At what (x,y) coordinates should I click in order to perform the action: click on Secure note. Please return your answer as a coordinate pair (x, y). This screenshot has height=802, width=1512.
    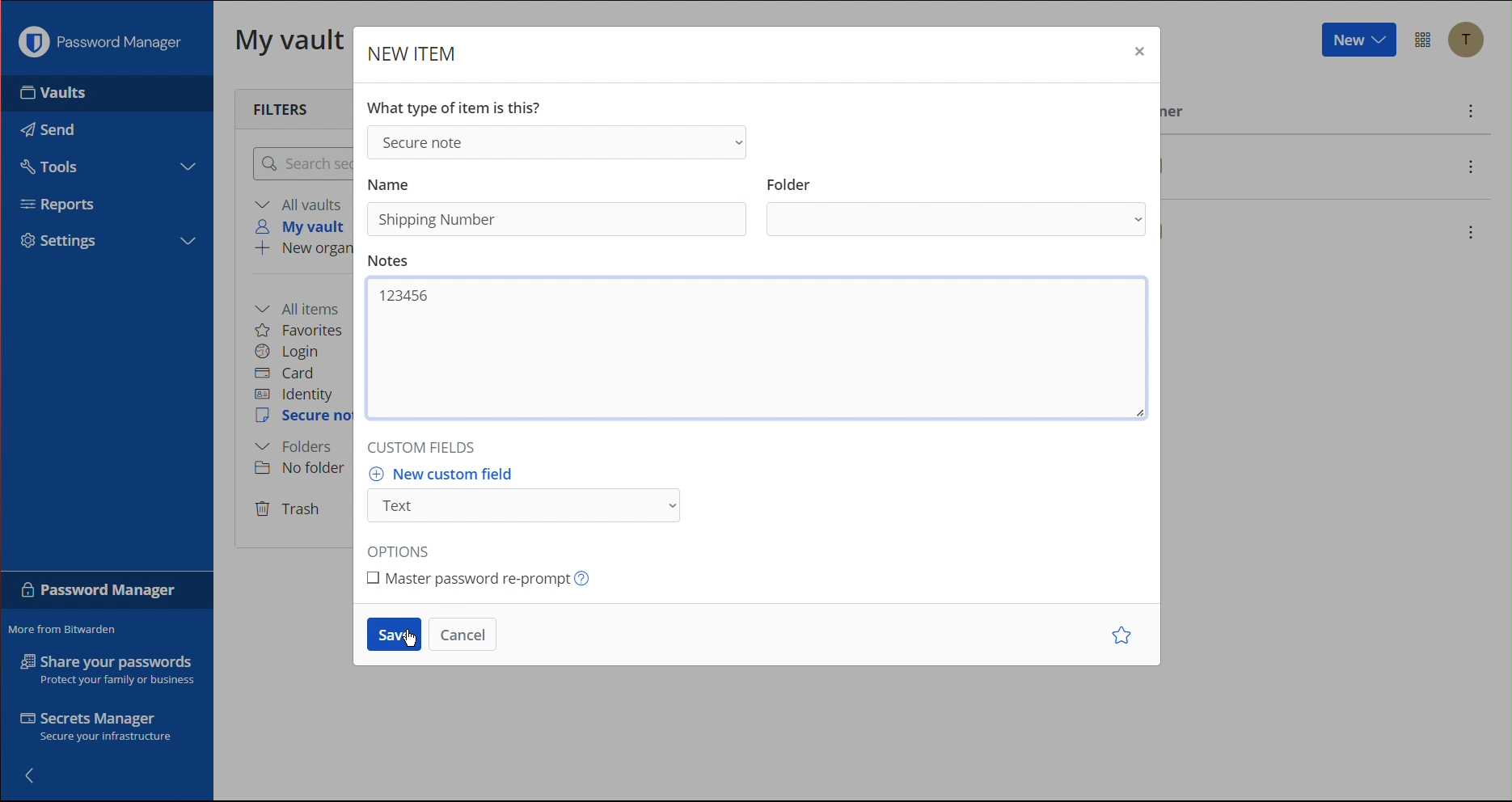
    Looking at the image, I should click on (563, 142).